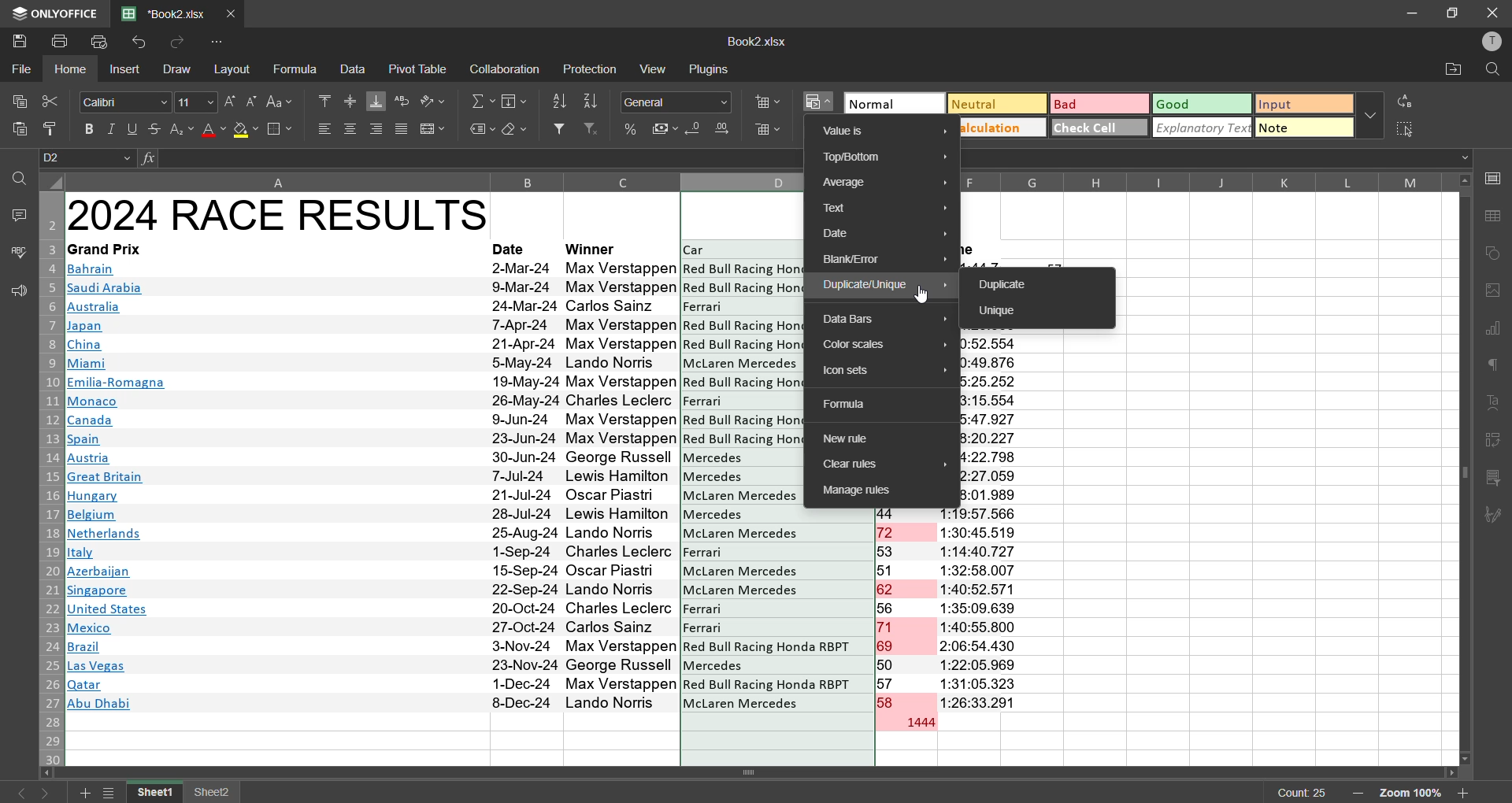 This screenshot has height=803, width=1512. Describe the element at coordinates (1463, 793) in the screenshot. I see `zoom in` at that location.